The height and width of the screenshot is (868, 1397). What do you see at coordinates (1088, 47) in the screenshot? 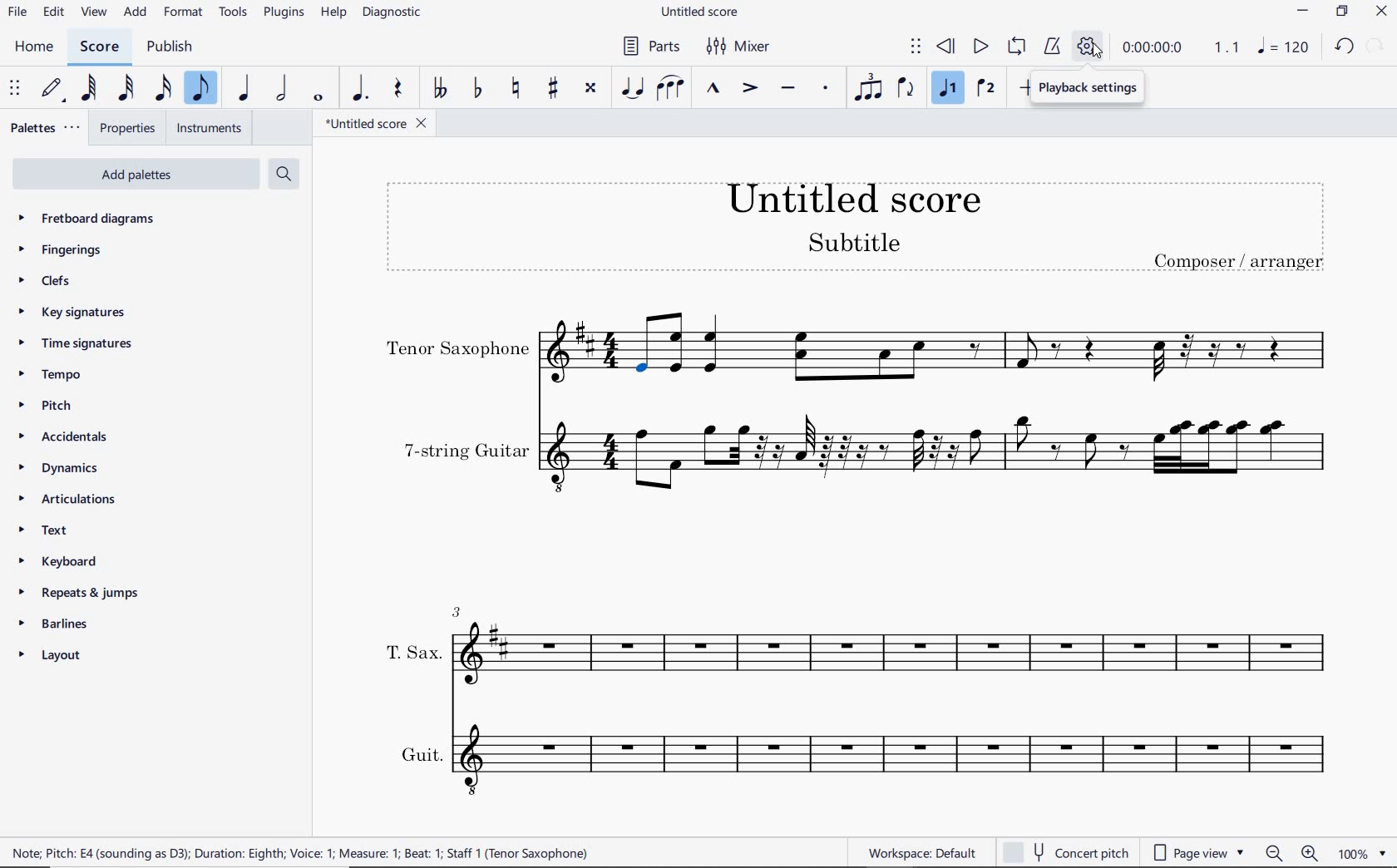
I see `PLAYBACK SETTINGS` at bounding box center [1088, 47].